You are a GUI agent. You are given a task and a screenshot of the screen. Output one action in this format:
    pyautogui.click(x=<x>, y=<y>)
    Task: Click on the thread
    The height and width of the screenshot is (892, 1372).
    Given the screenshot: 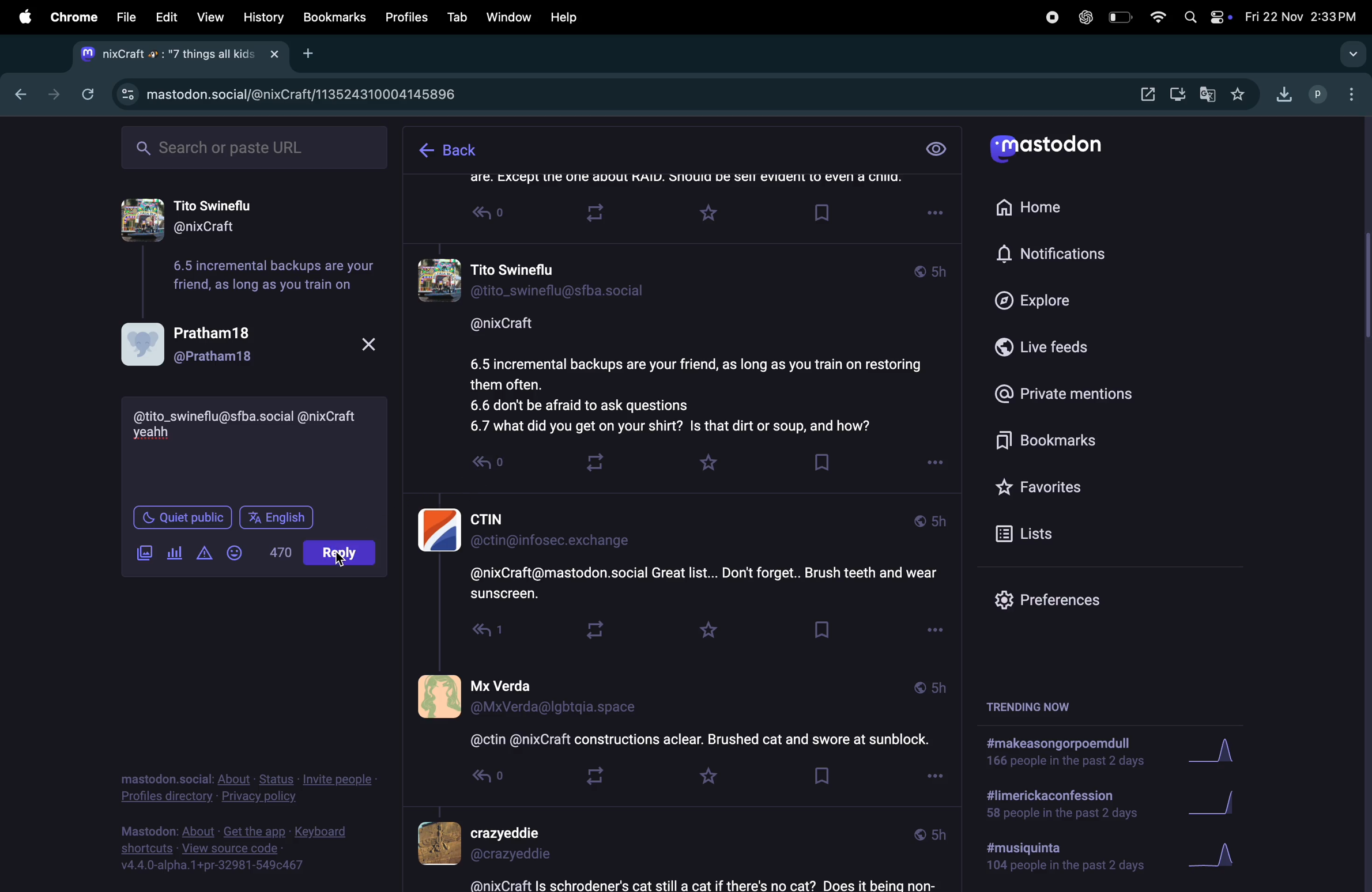 What is the action you would take?
    pyautogui.click(x=689, y=343)
    